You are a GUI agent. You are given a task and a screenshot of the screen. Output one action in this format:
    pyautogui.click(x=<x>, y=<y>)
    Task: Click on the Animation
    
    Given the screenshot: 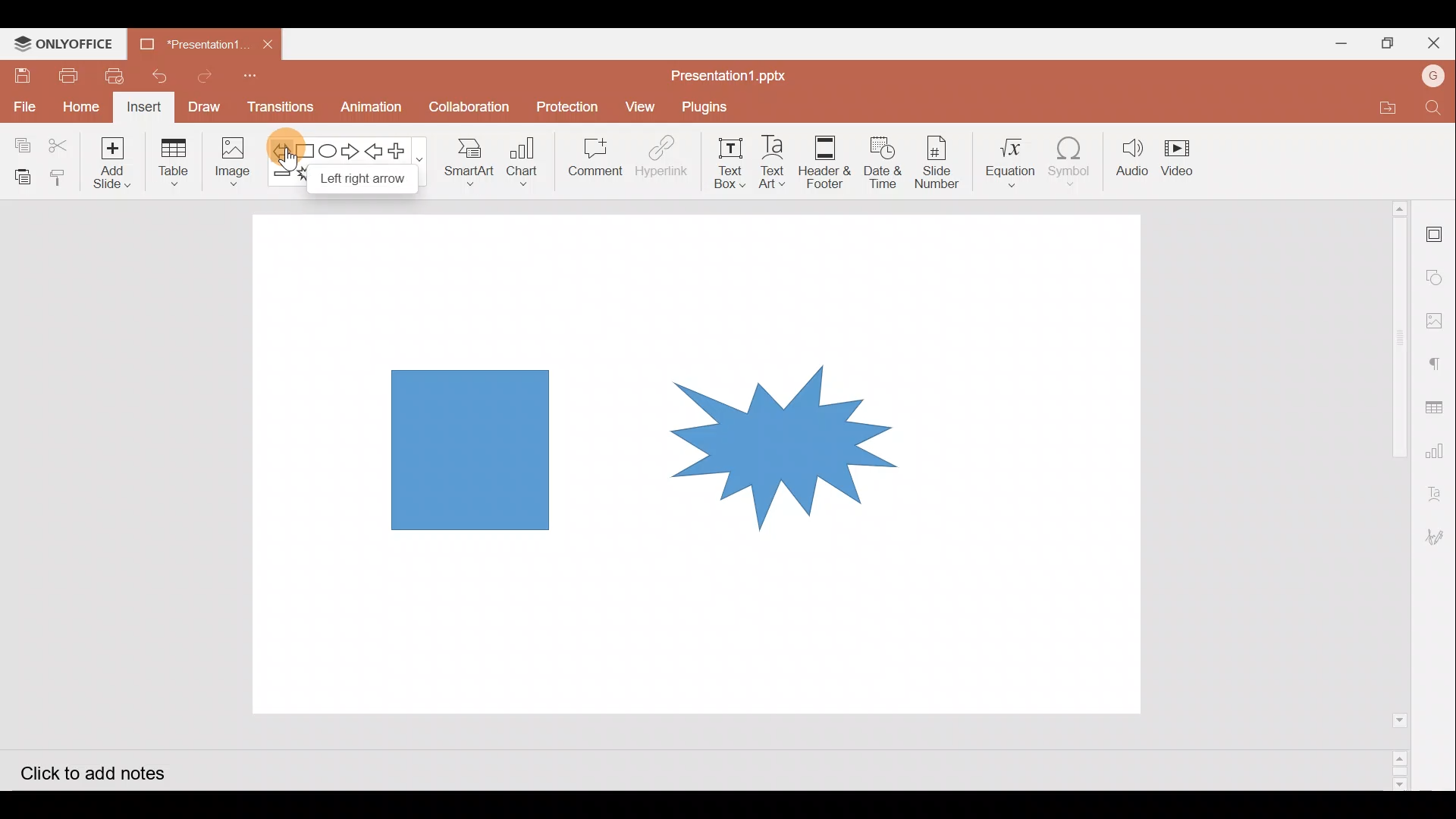 What is the action you would take?
    pyautogui.click(x=372, y=108)
    